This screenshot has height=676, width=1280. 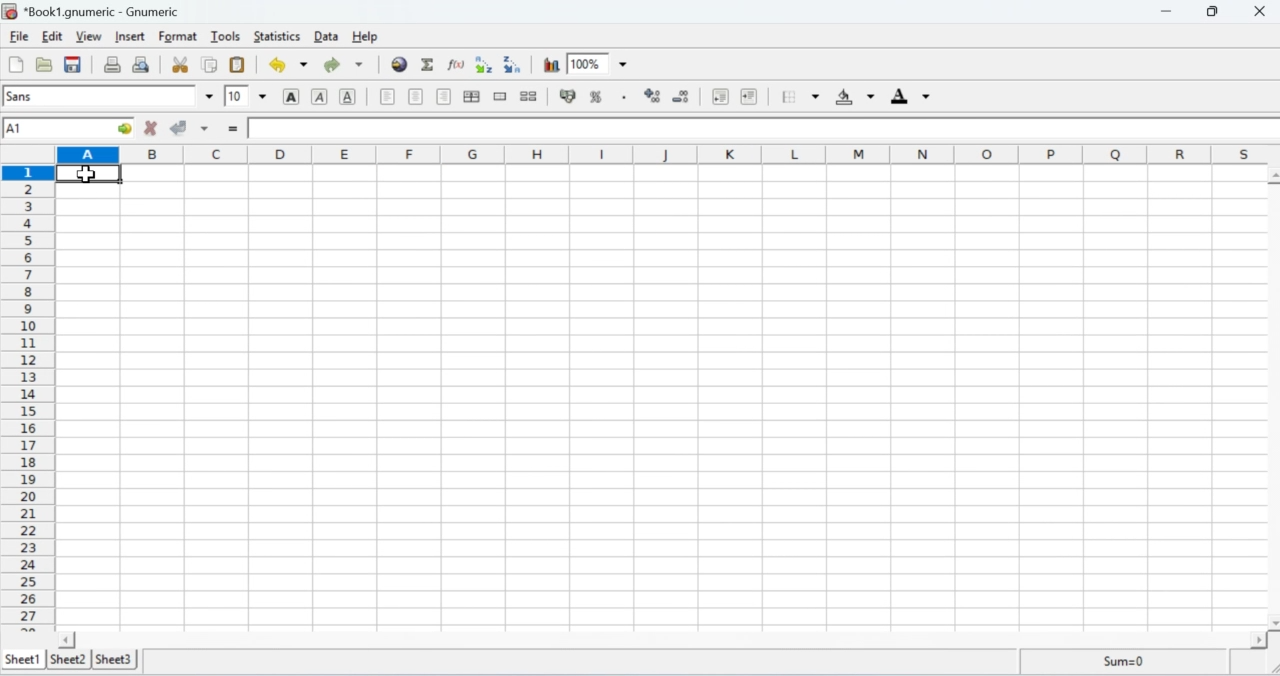 What do you see at coordinates (457, 65) in the screenshot?
I see `Edit a function into the current cell` at bounding box center [457, 65].